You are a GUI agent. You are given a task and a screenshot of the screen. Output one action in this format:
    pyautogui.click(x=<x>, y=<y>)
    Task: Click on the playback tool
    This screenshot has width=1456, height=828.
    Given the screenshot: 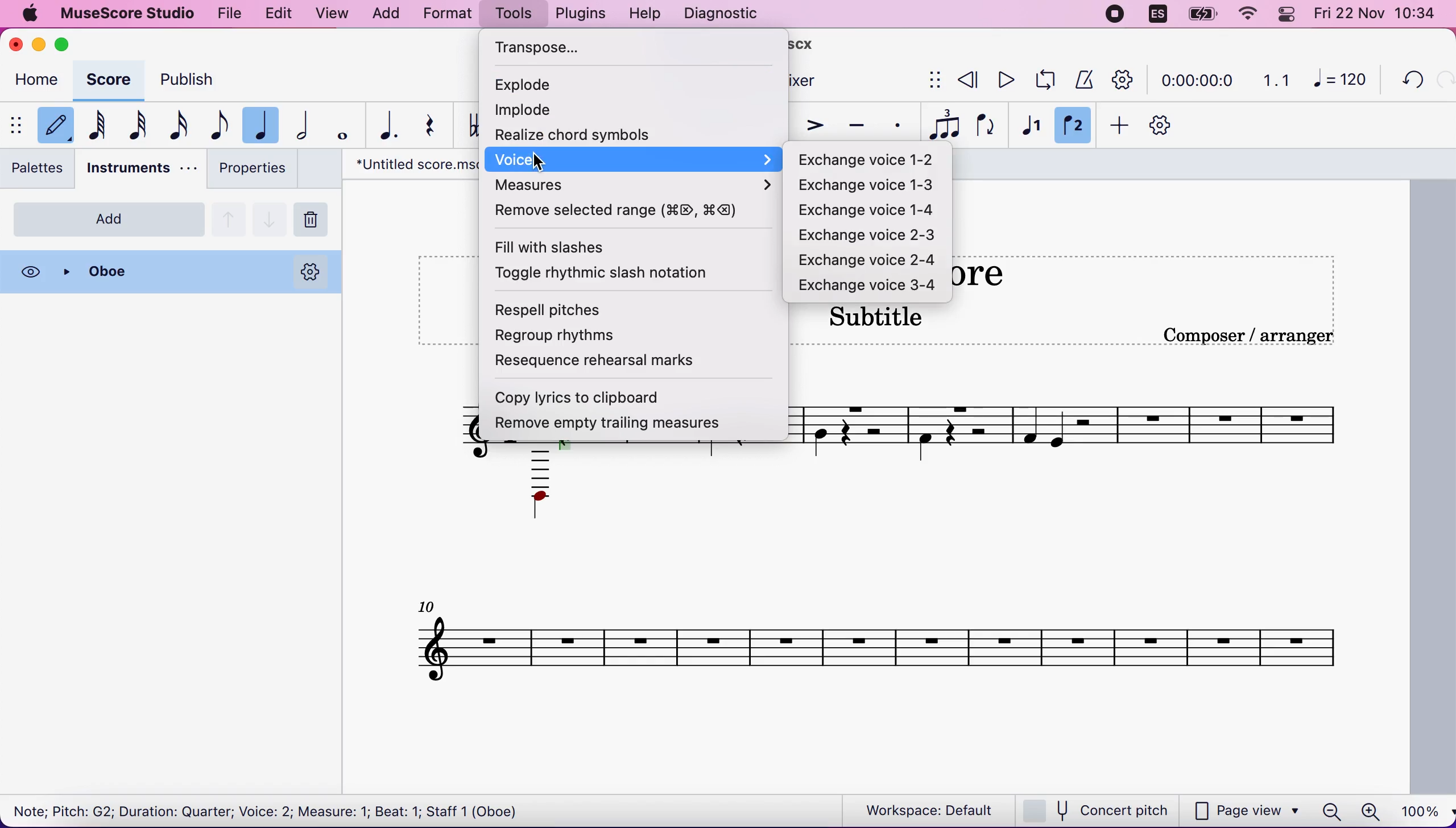 What is the action you would take?
    pyautogui.click(x=1127, y=77)
    